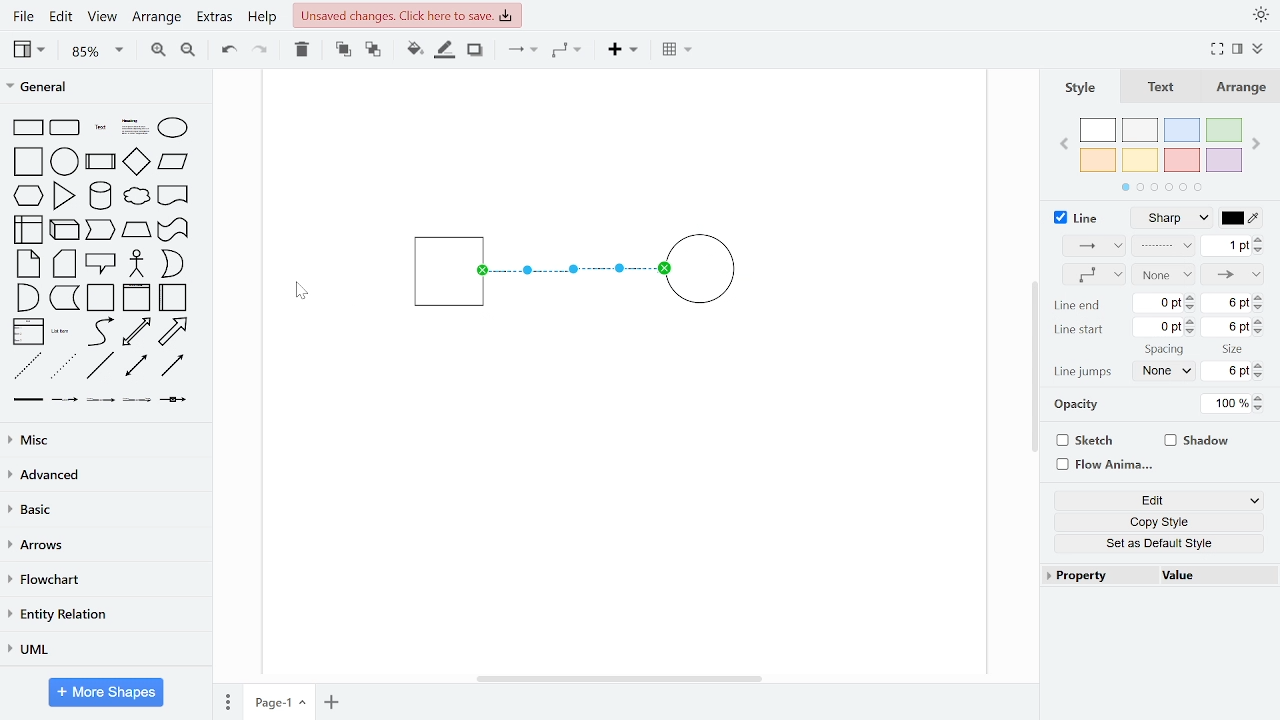 The width and height of the screenshot is (1280, 720). I want to click on zoom in, so click(156, 48).